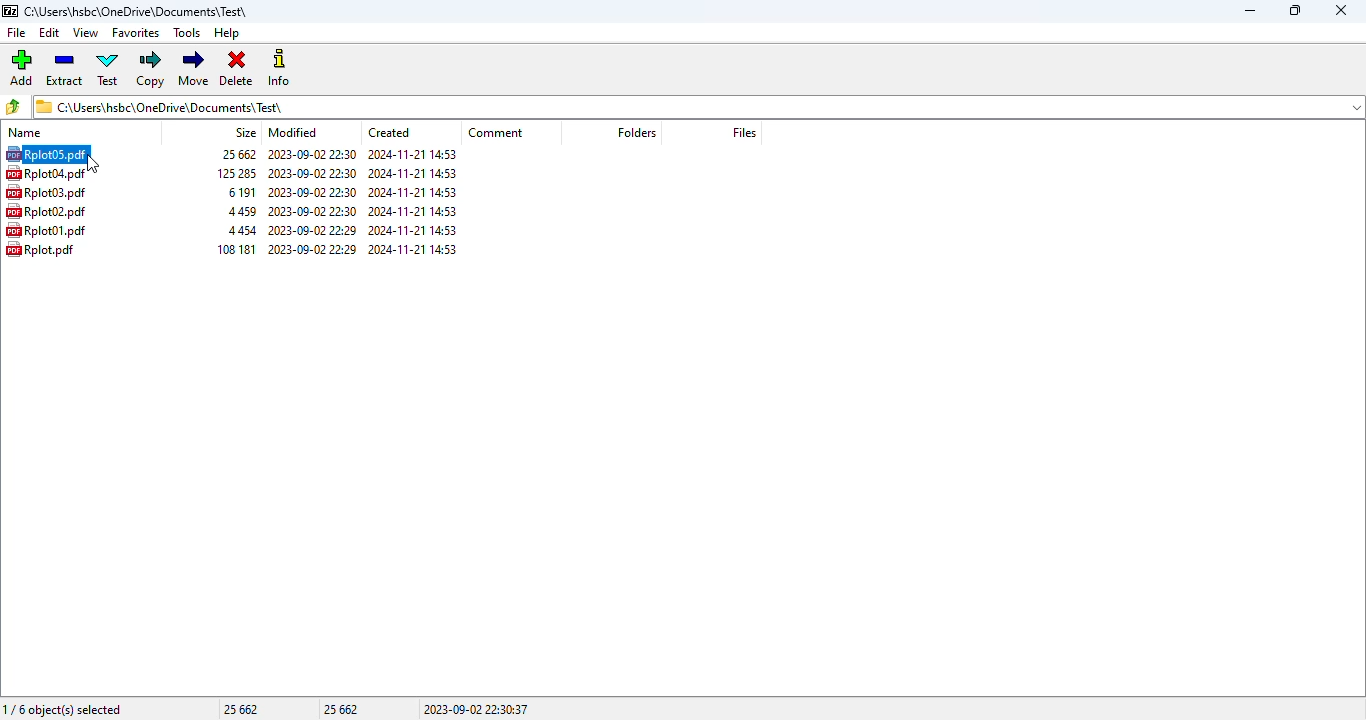 The width and height of the screenshot is (1366, 720). What do you see at coordinates (414, 174) in the screenshot?
I see `created date & time` at bounding box center [414, 174].